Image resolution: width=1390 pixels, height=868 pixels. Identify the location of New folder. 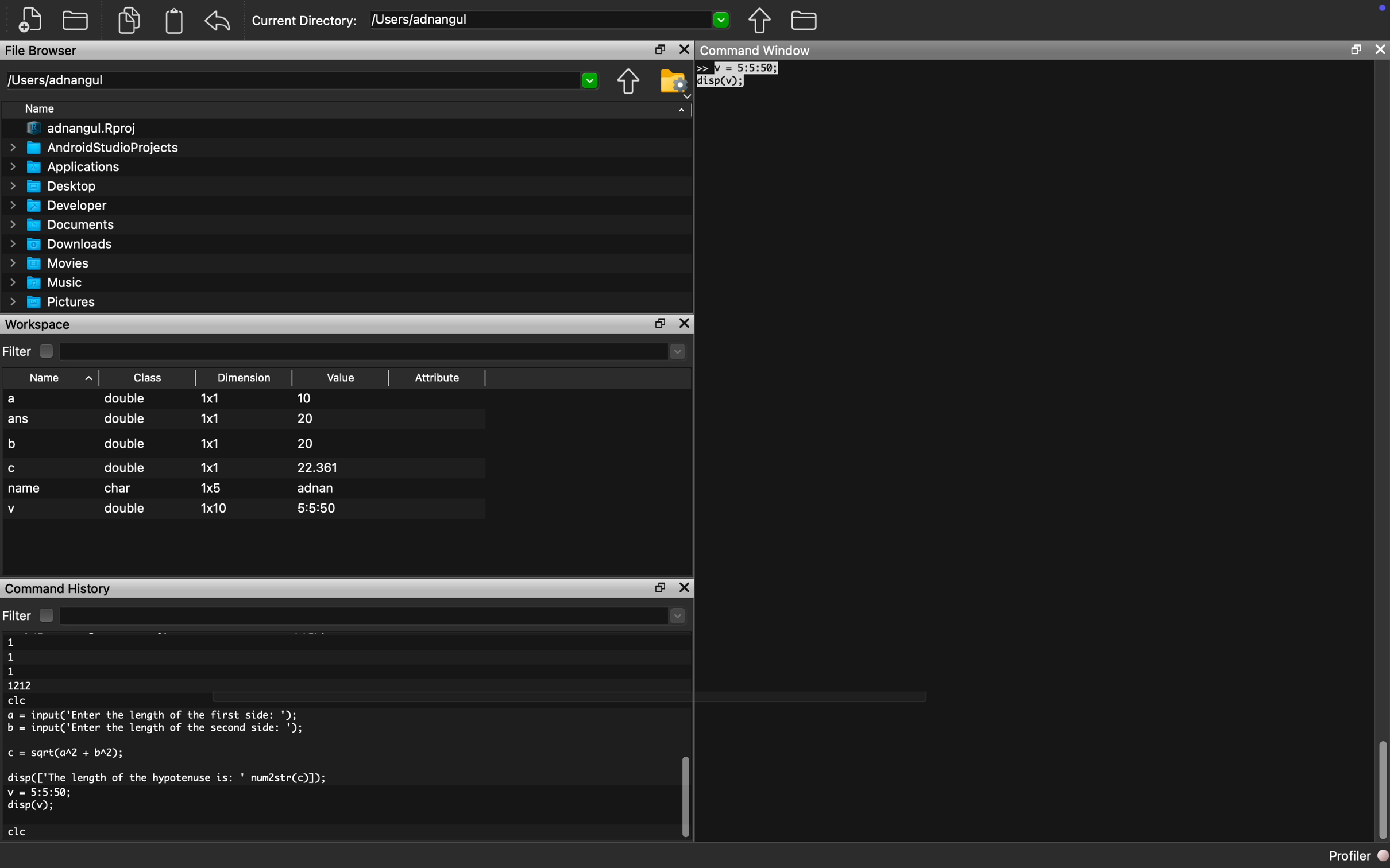
(75, 20).